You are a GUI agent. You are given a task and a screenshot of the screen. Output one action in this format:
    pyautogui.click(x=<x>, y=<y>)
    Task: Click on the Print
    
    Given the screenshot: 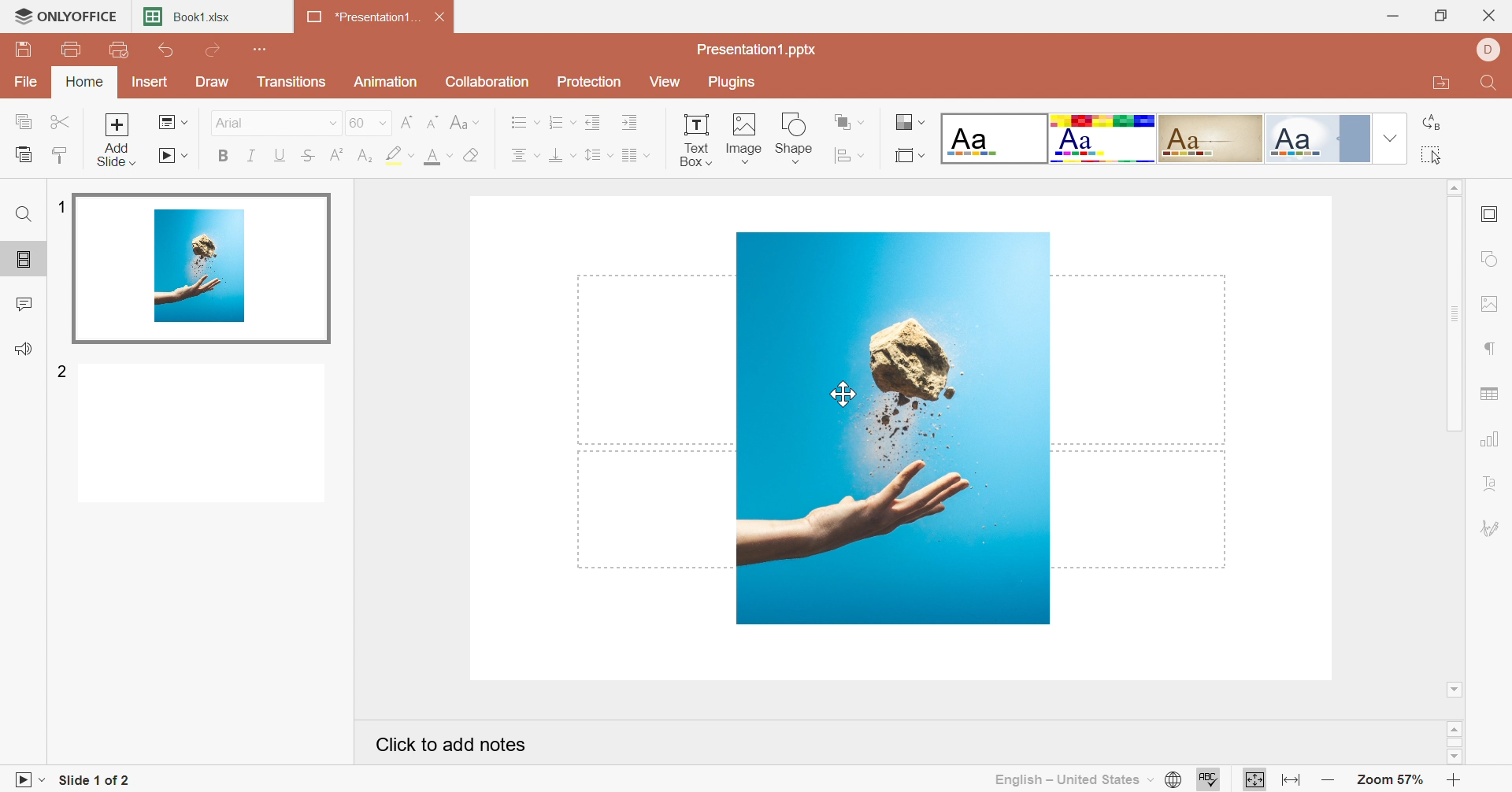 What is the action you would take?
    pyautogui.click(x=72, y=49)
    